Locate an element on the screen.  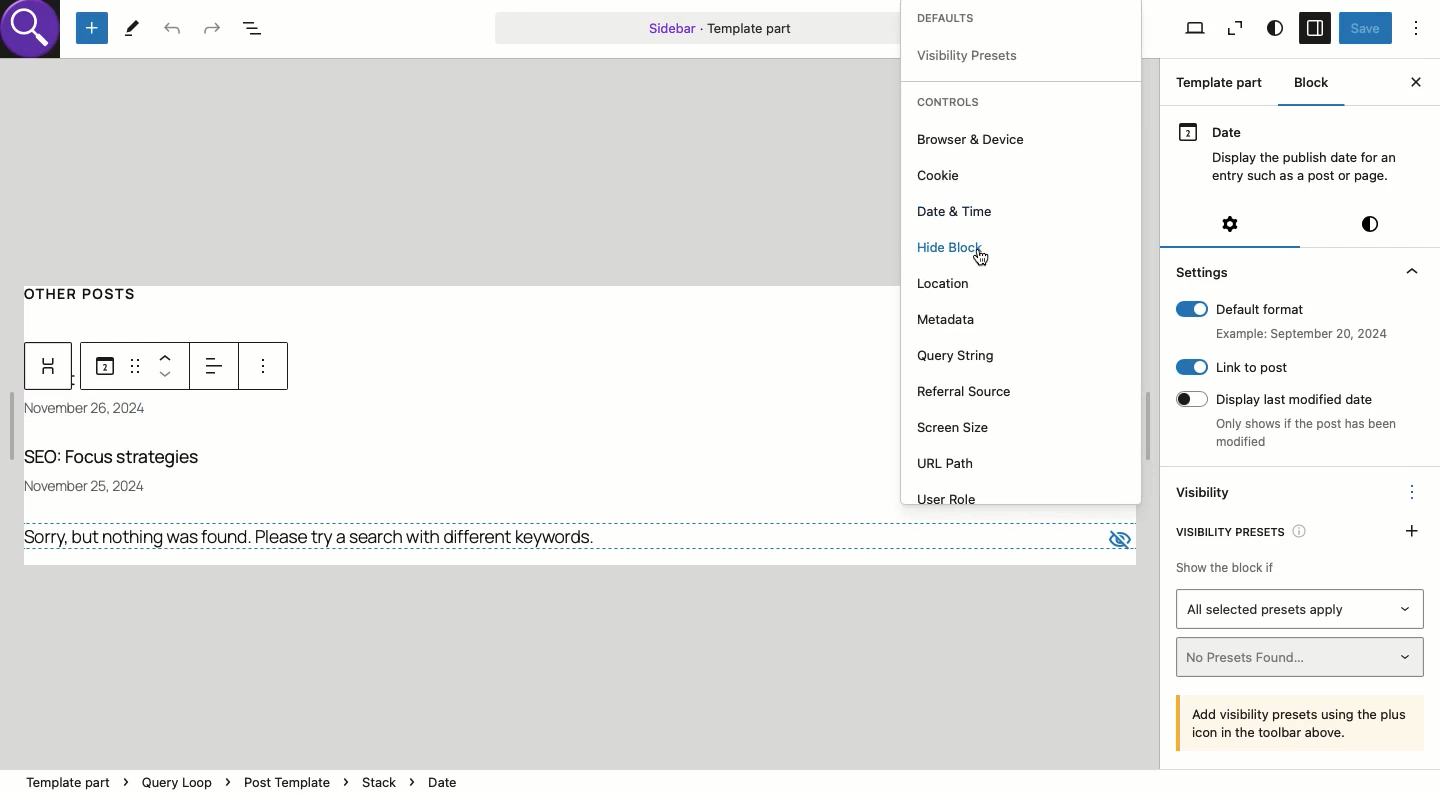
URL path is located at coordinates (949, 465).